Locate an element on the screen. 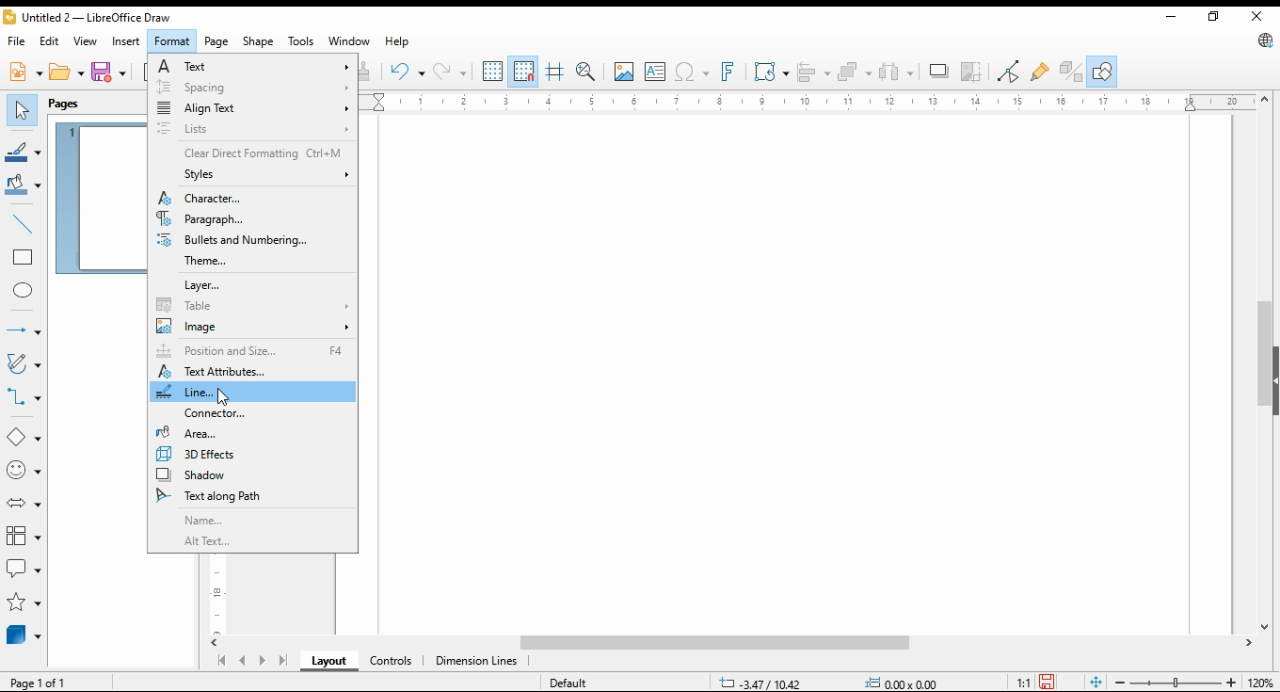 This screenshot has height=692, width=1280. zoom slider is located at coordinates (1173, 682).